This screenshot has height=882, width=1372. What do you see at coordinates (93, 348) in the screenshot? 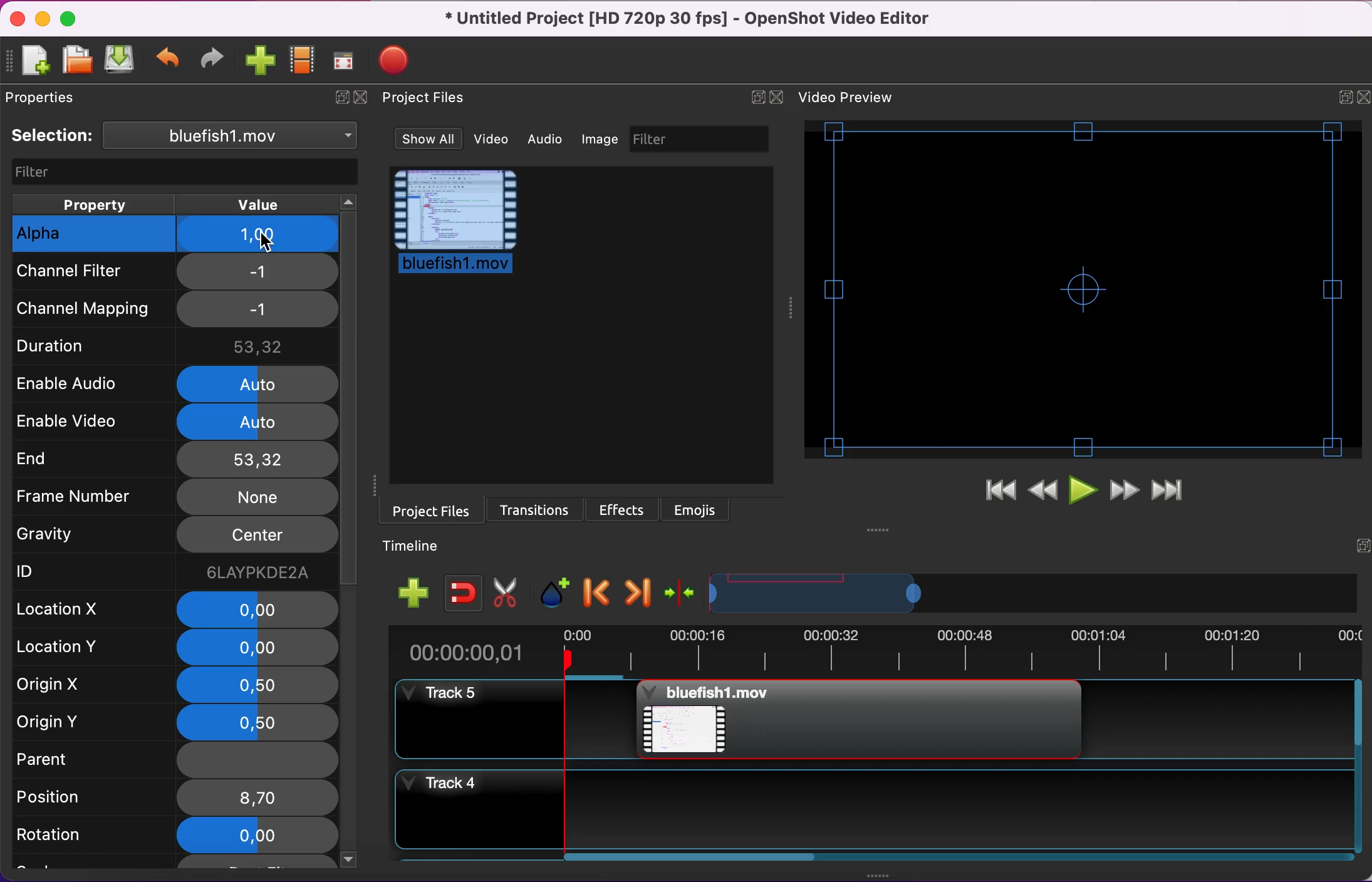
I see `duration` at bounding box center [93, 348].